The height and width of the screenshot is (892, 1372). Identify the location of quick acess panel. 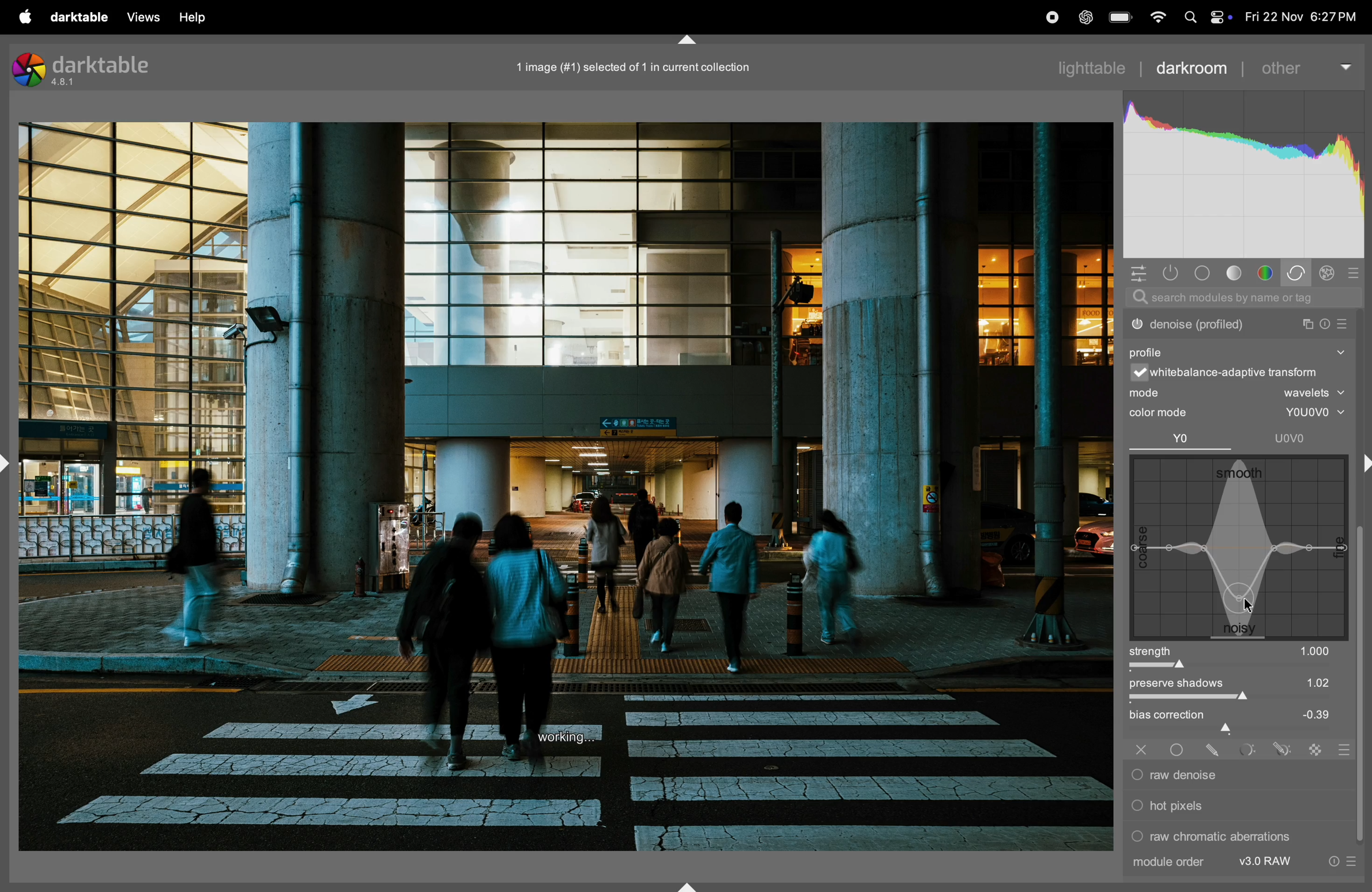
(1139, 274).